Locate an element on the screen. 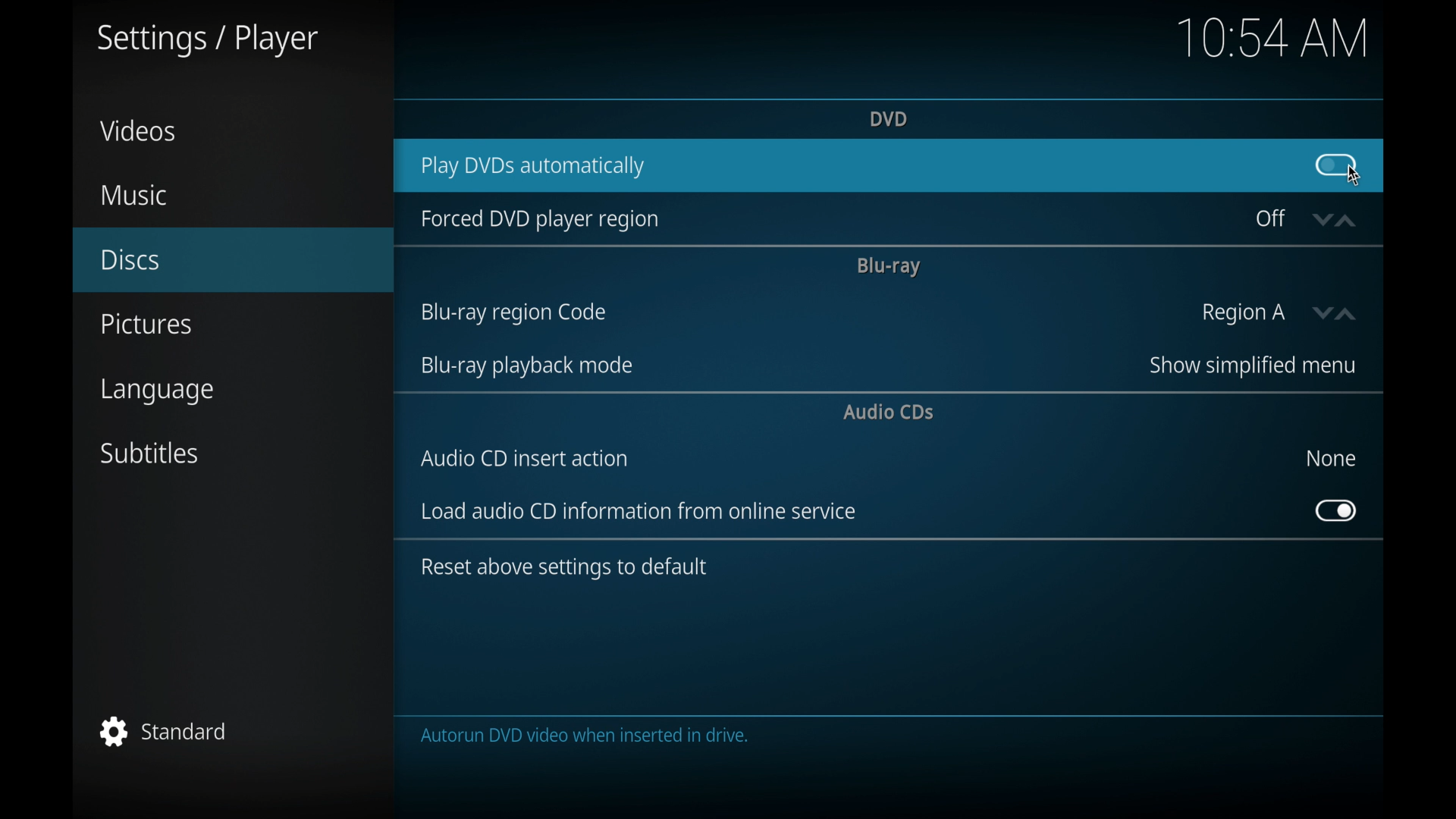  stepper buttons is located at coordinates (1337, 314).